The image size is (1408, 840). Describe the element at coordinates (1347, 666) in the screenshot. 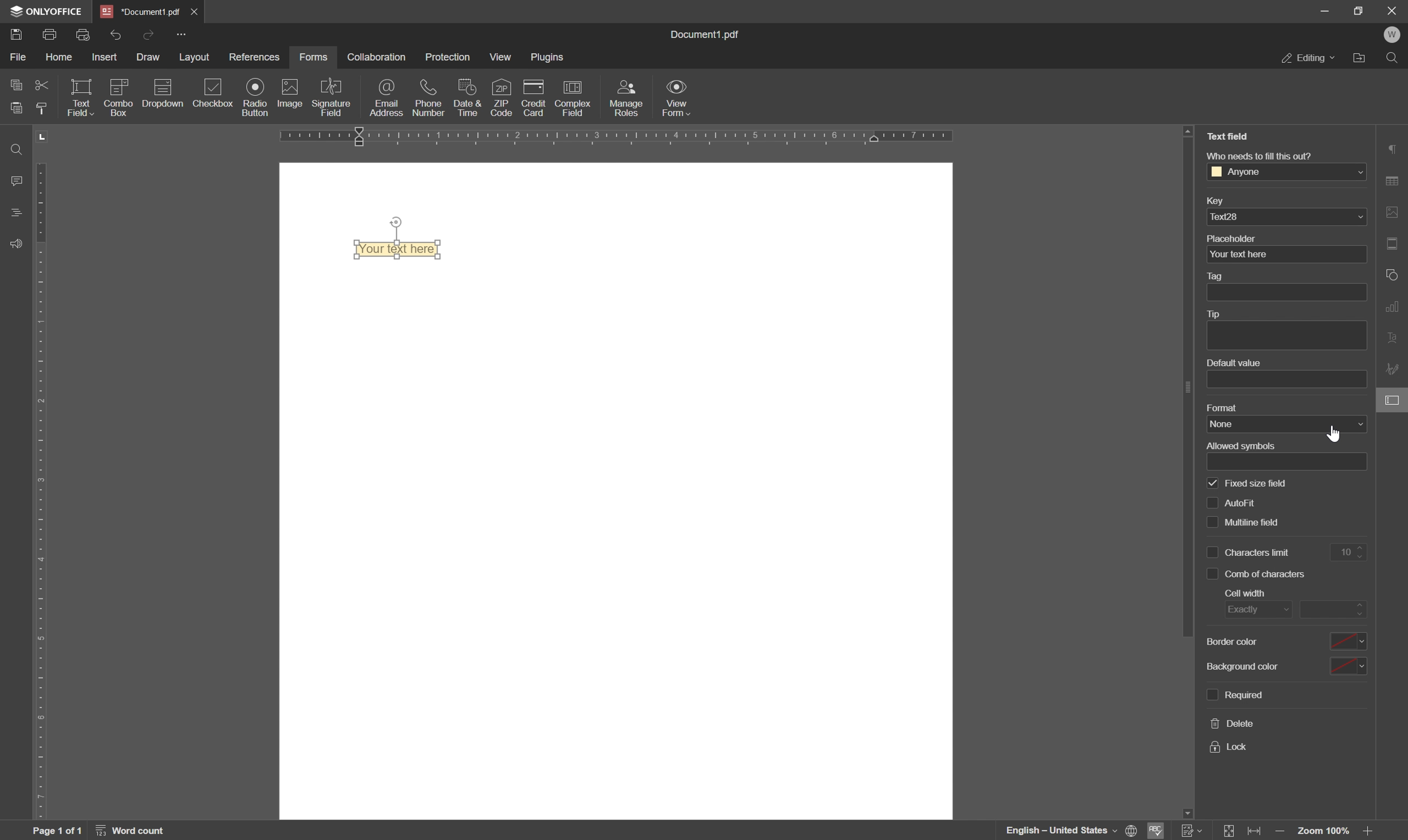

I see `drop down` at that location.